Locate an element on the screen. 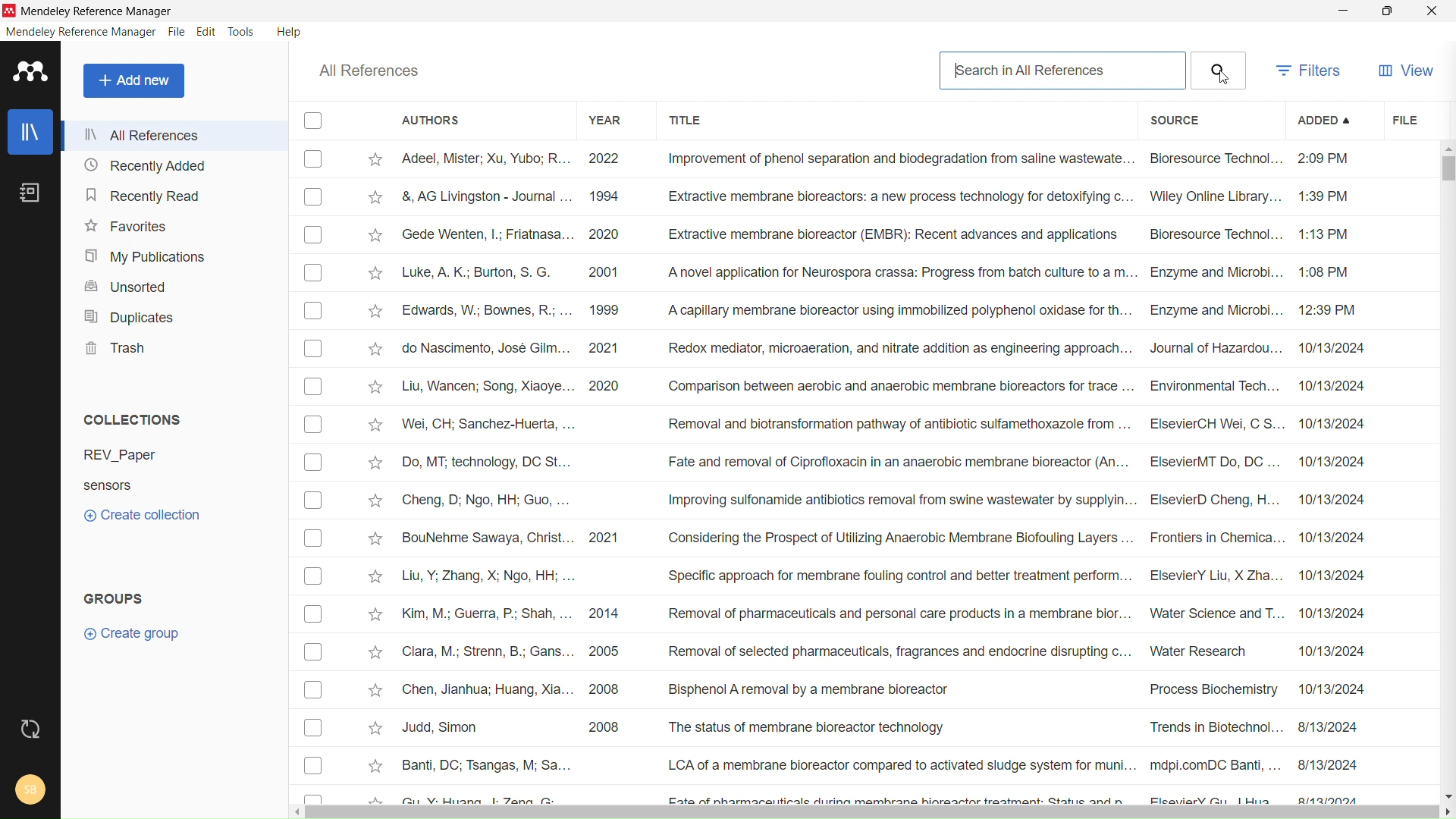 The height and width of the screenshot is (819, 1456). Checkbox is located at coordinates (313, 691).